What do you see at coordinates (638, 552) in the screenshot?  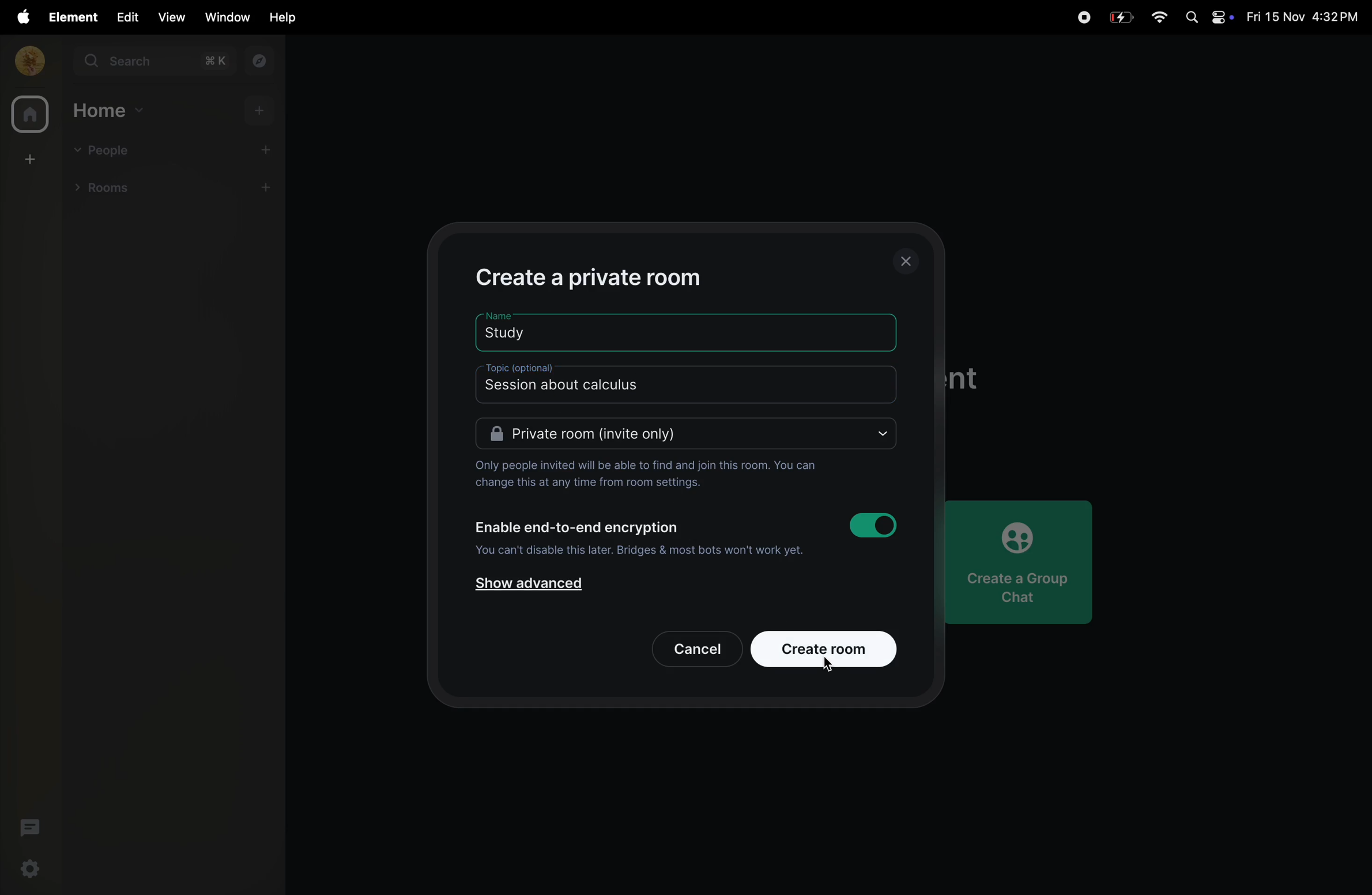 I see `you cannot disabole it later` at bounding box center [638, 552].